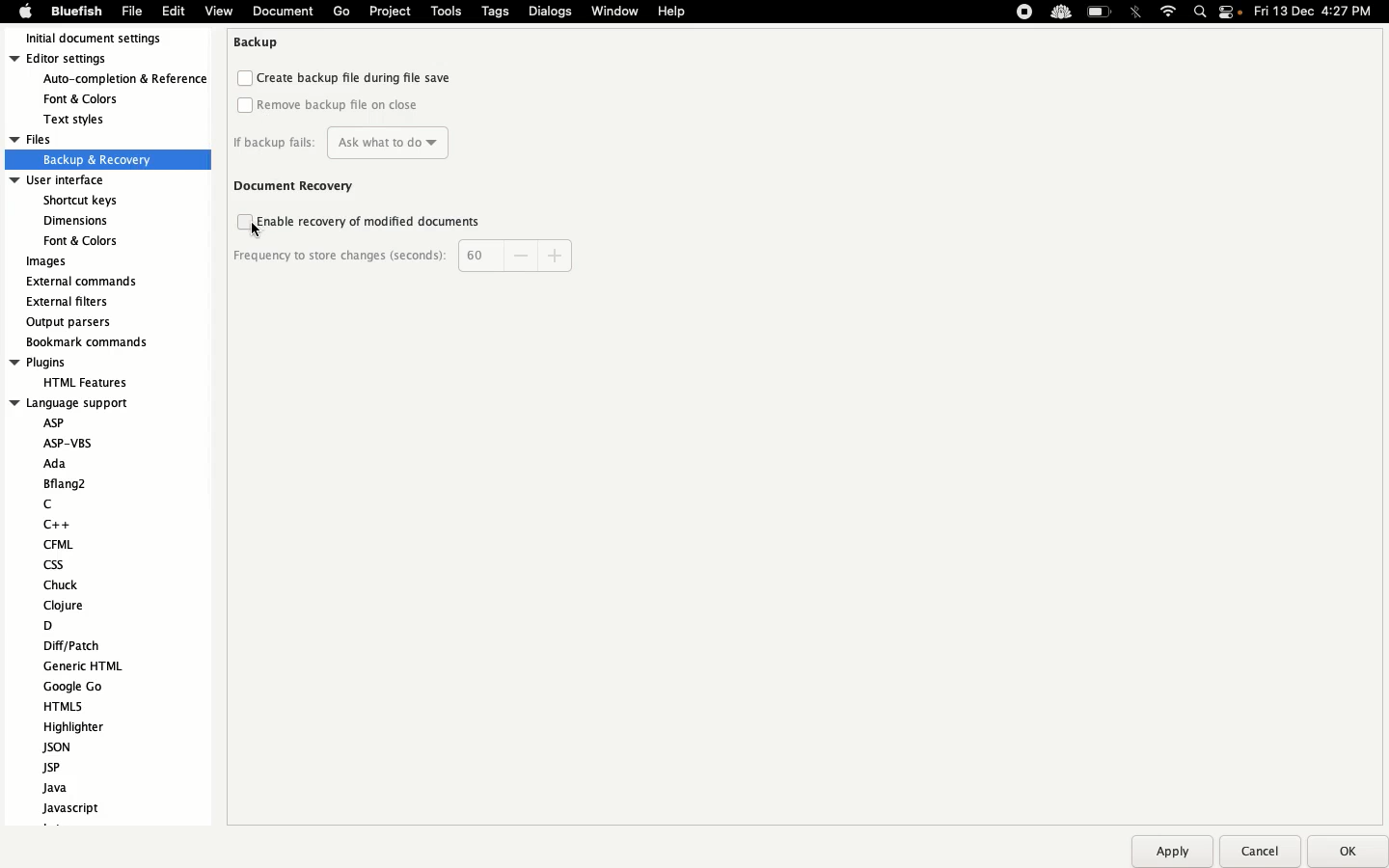  I want to click on Document , so click(282, 13).